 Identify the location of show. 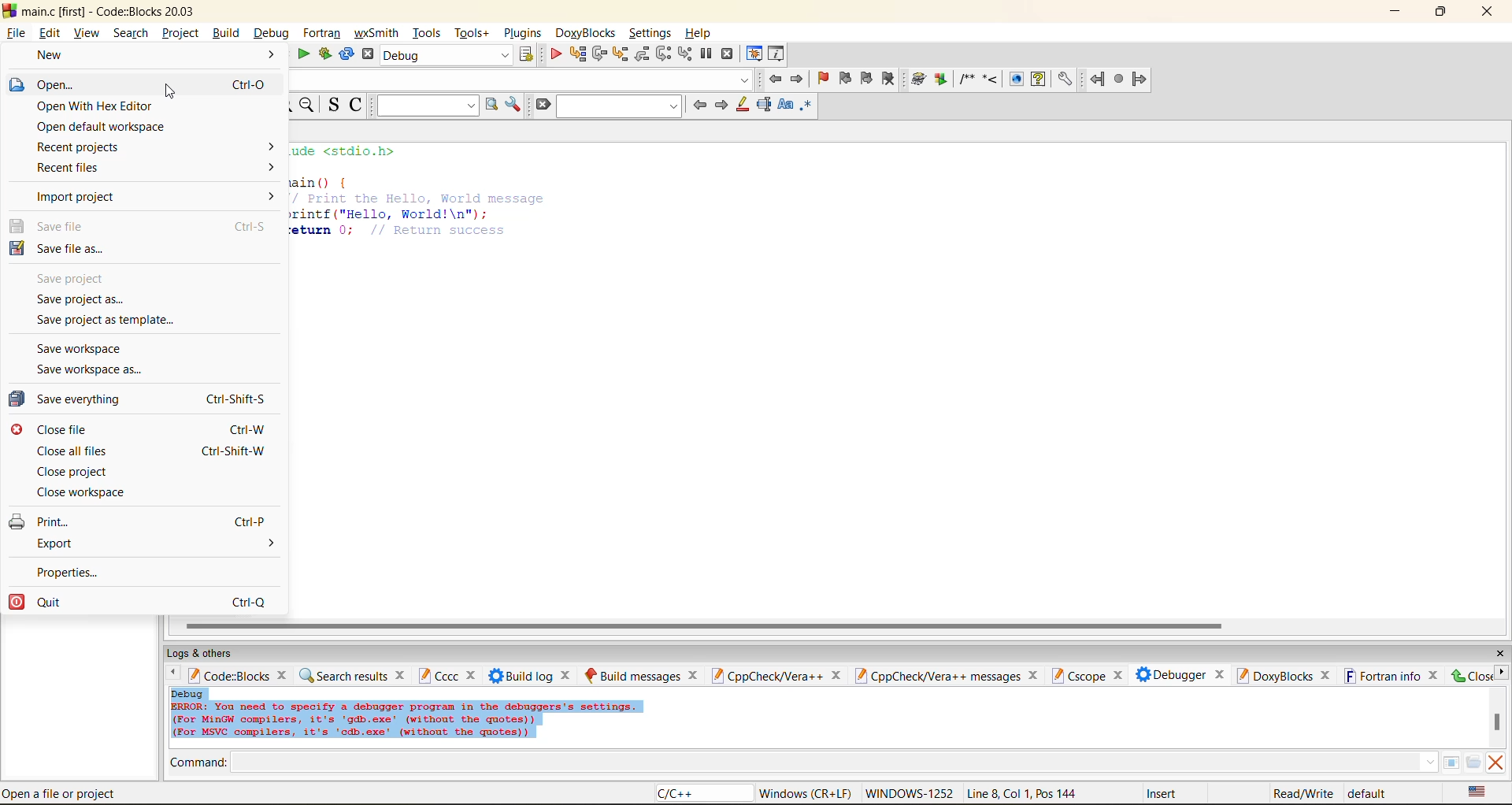
(1014, 79).